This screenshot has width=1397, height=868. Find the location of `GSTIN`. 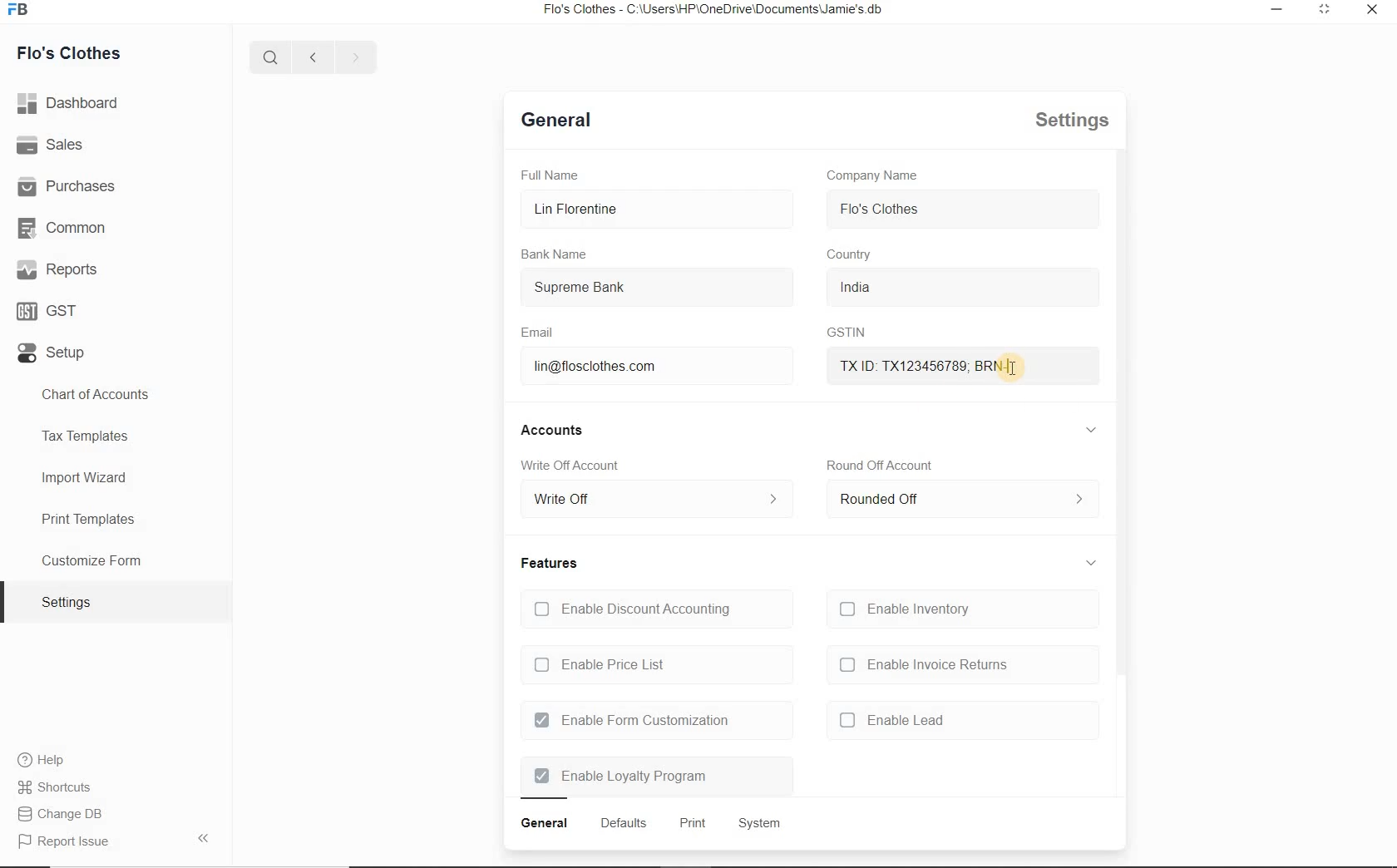

GSTIN is located at coordinates (841, 333).